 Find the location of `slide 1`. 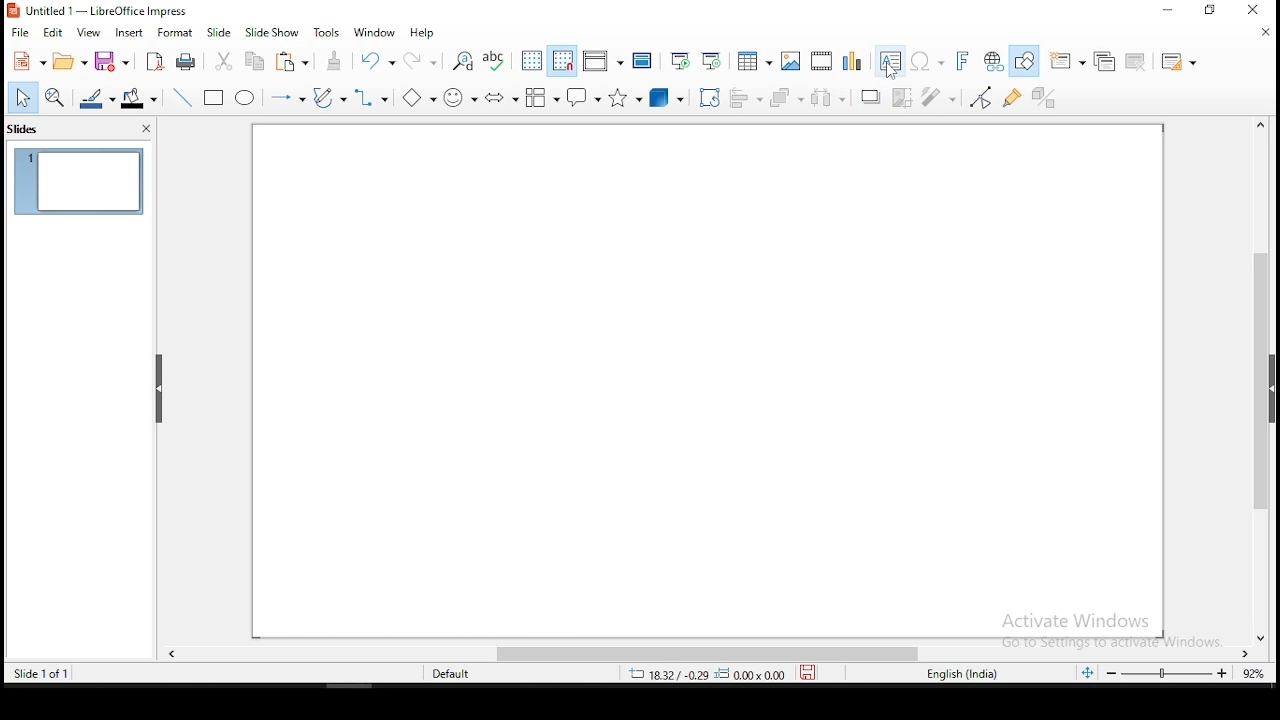

slide 1 is located at coordinates (79, 181).